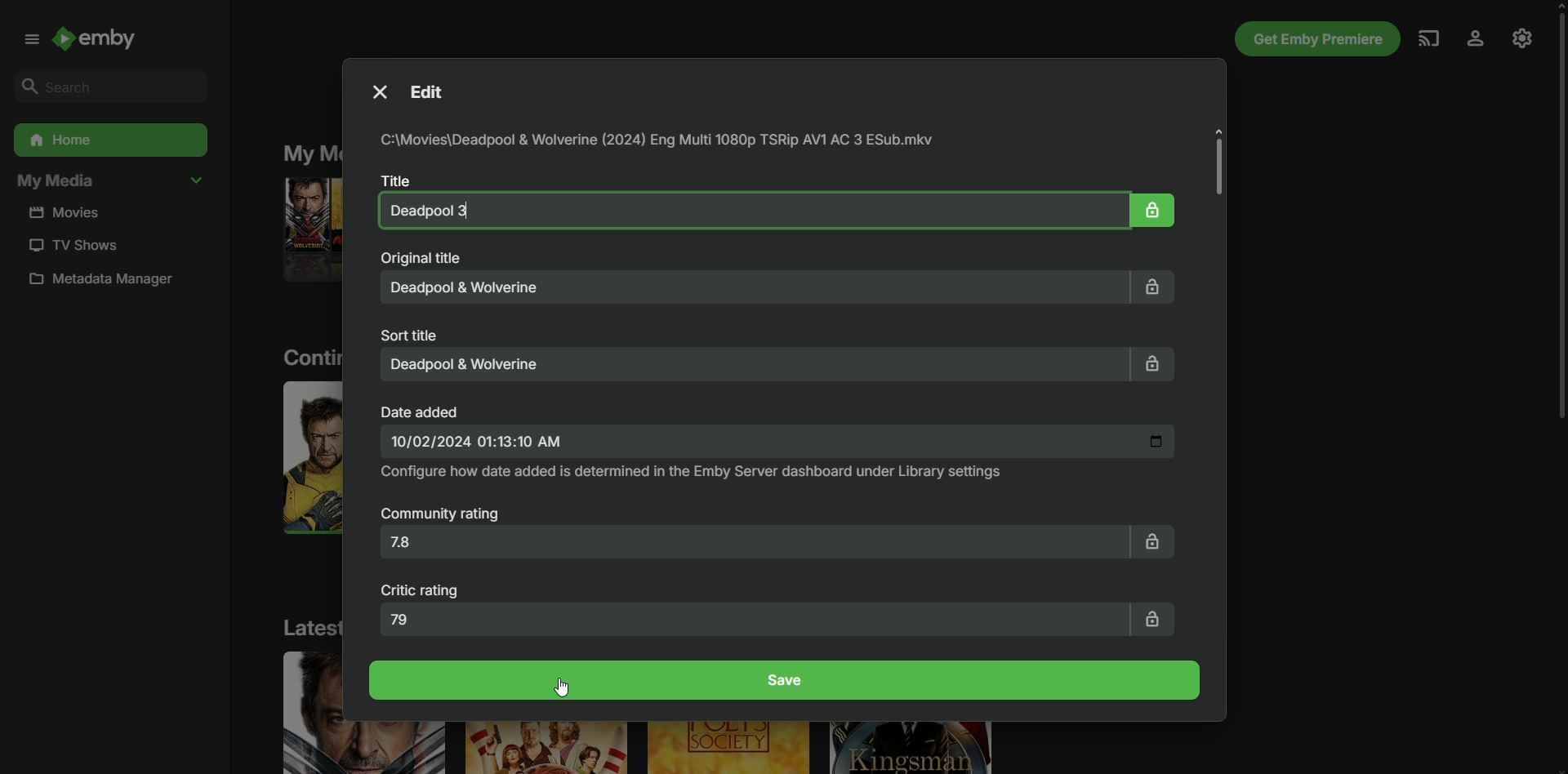 The image size is (1568, 774). What do you see at coordinates (1155, 618) in the screenshot?
I see `Lock` at bounding box center [1155, 618].